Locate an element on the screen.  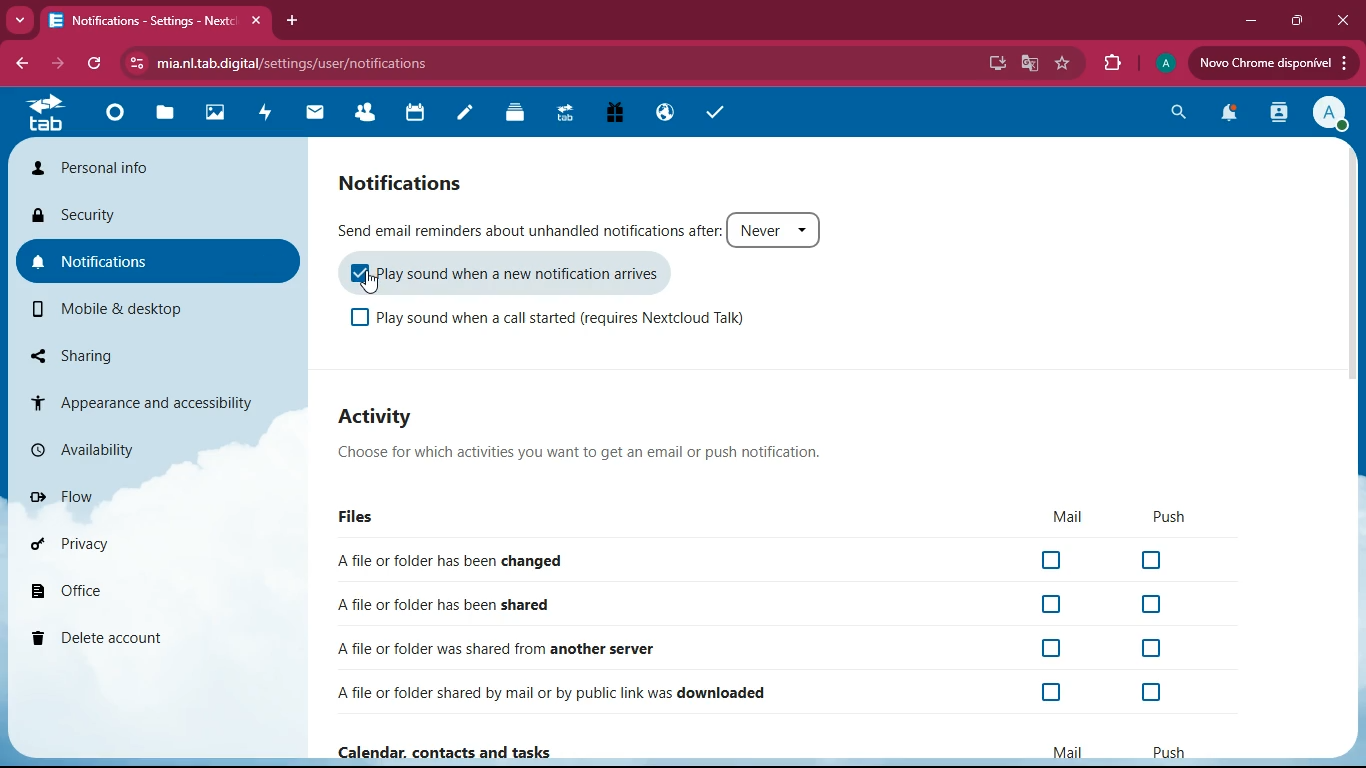
appearance is located at coordinates (152, 398).